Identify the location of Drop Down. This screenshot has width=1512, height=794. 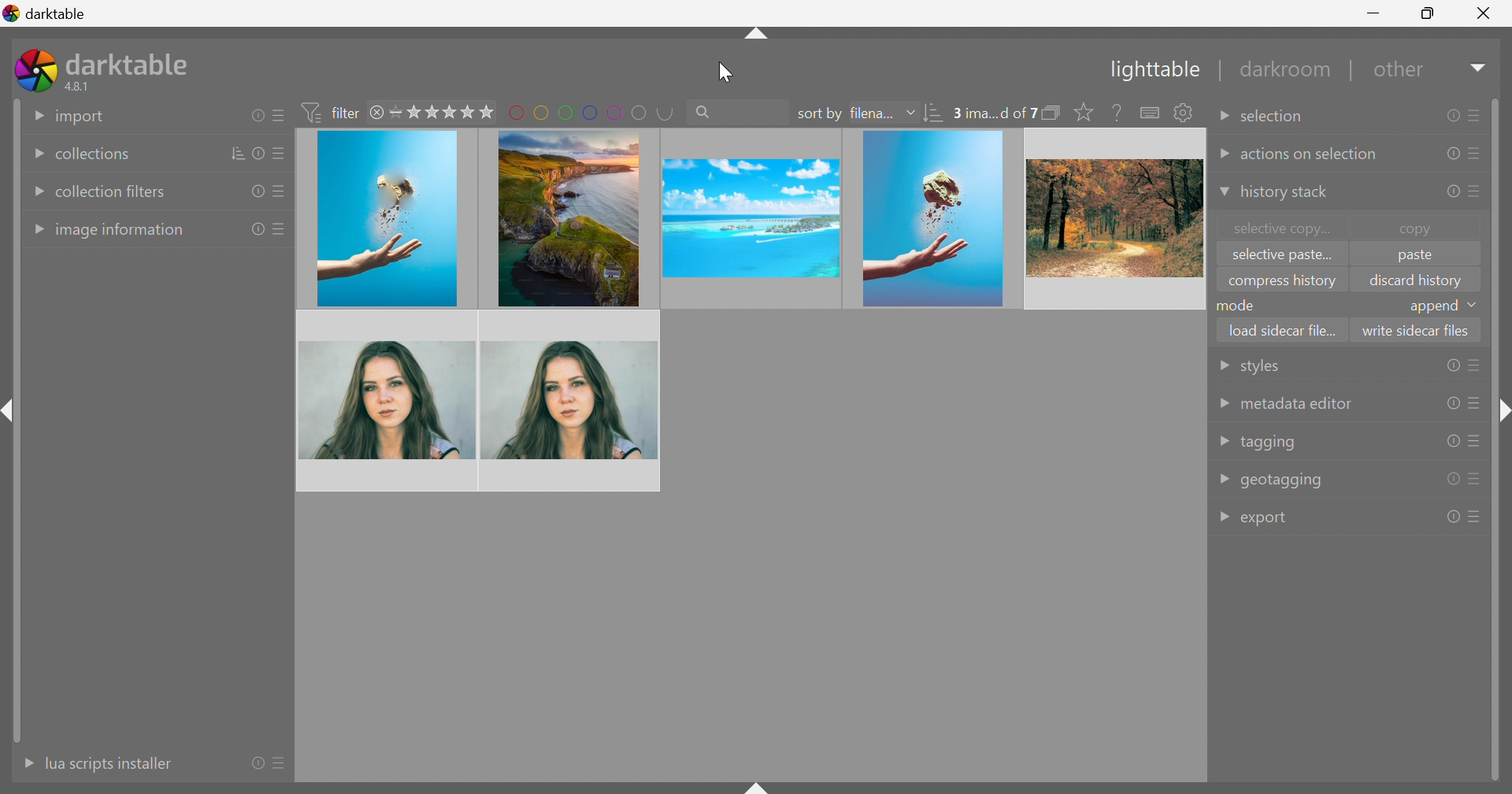
(1222, 154).